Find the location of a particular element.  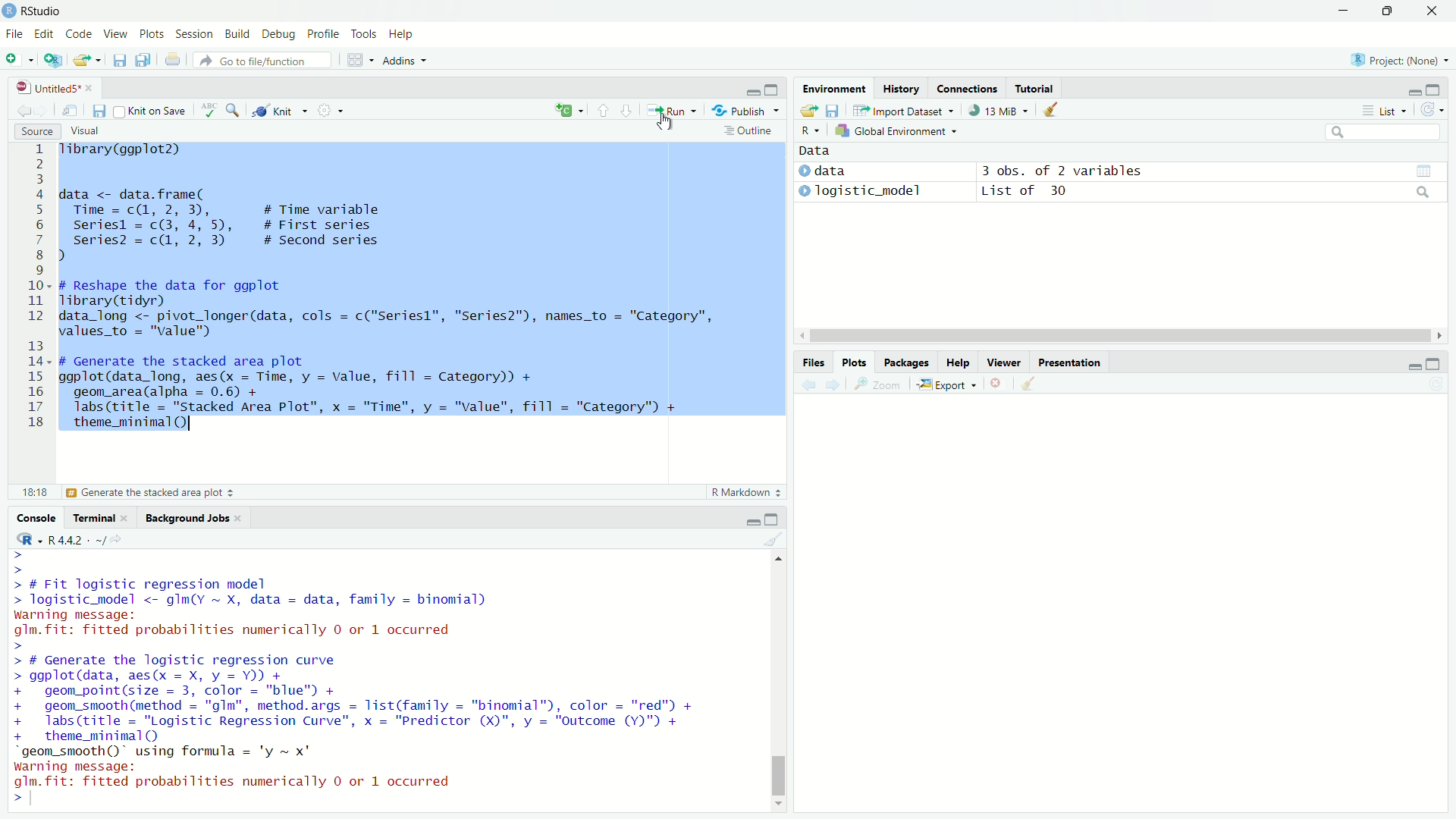

File is located at coordinates (15, 35).